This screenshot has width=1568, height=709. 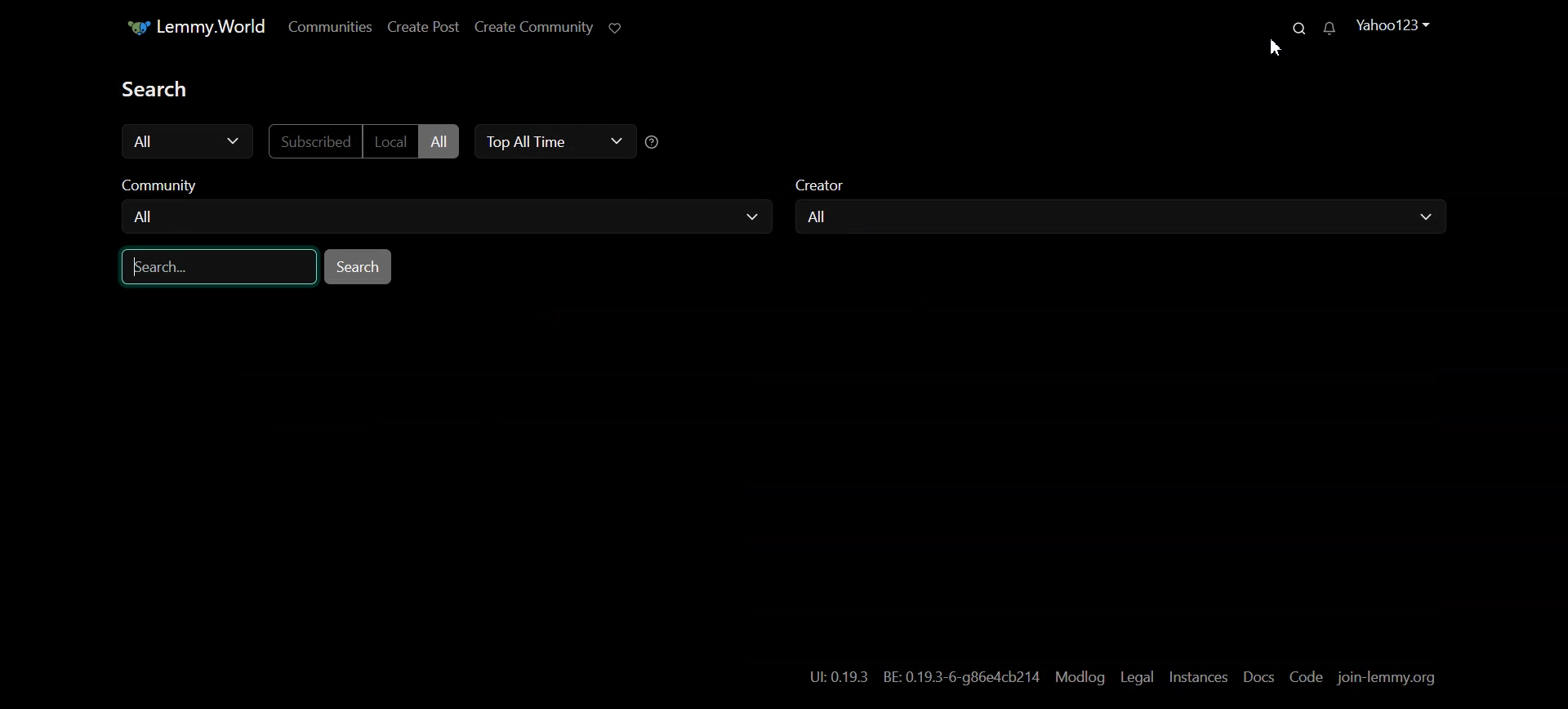 I want to click on join-lemmy.org, so click(x=1390, y=677).